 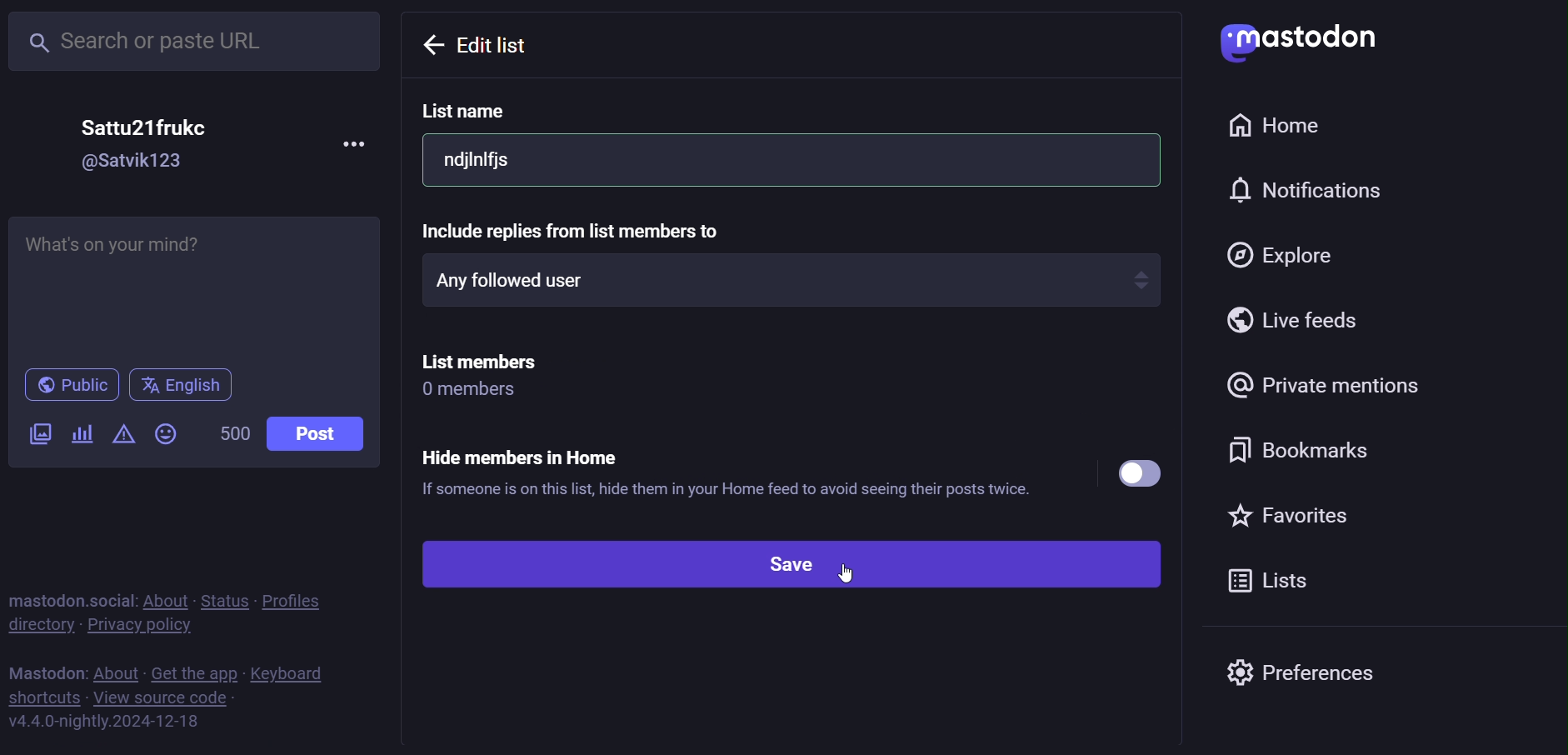 What do you see at coordinates (165, 598) in the screenshot?
I see `about` at bounding box center [165, 598].